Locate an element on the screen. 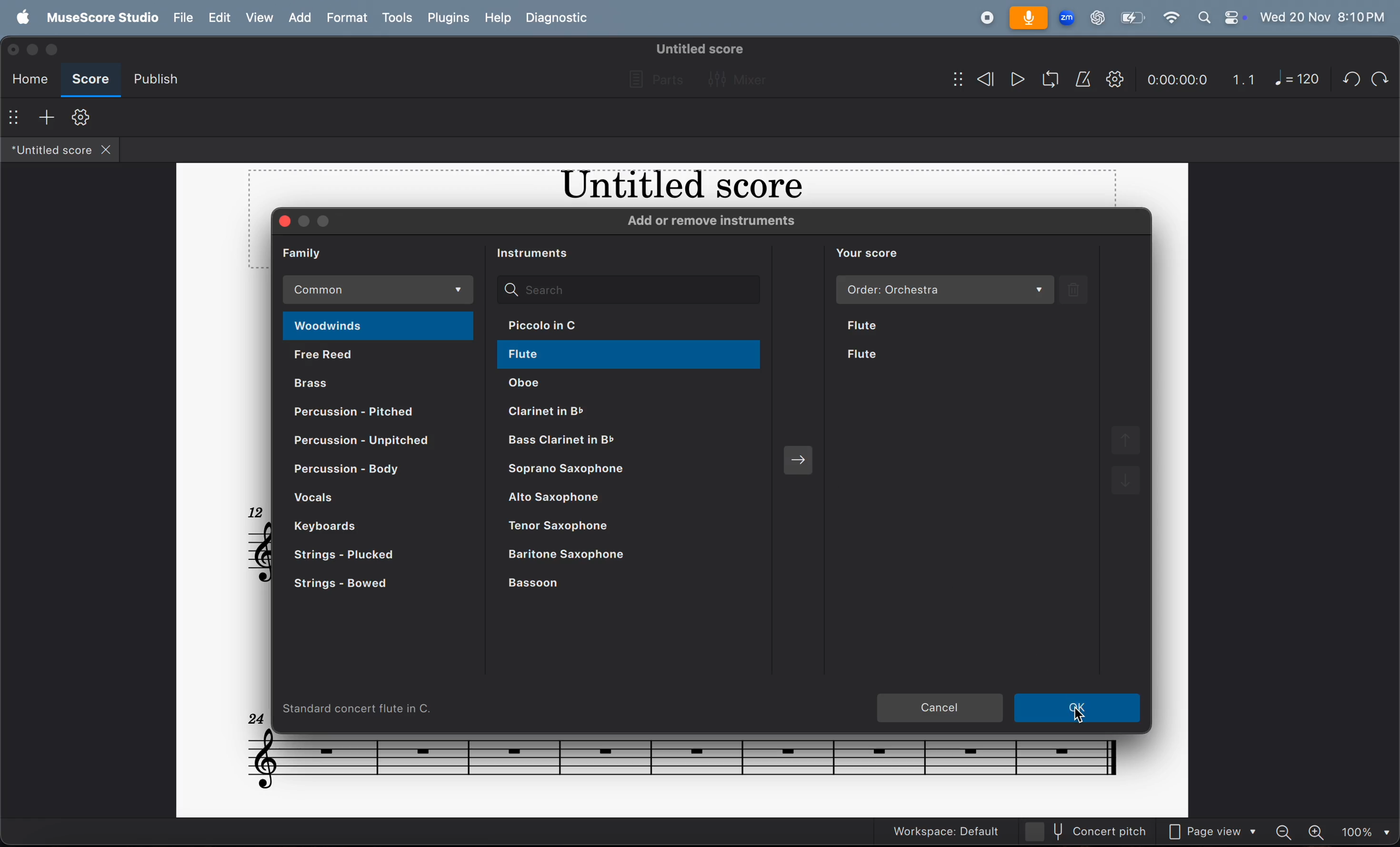 The image size is (1400, 847). flute is located at coordinates (894, 323).